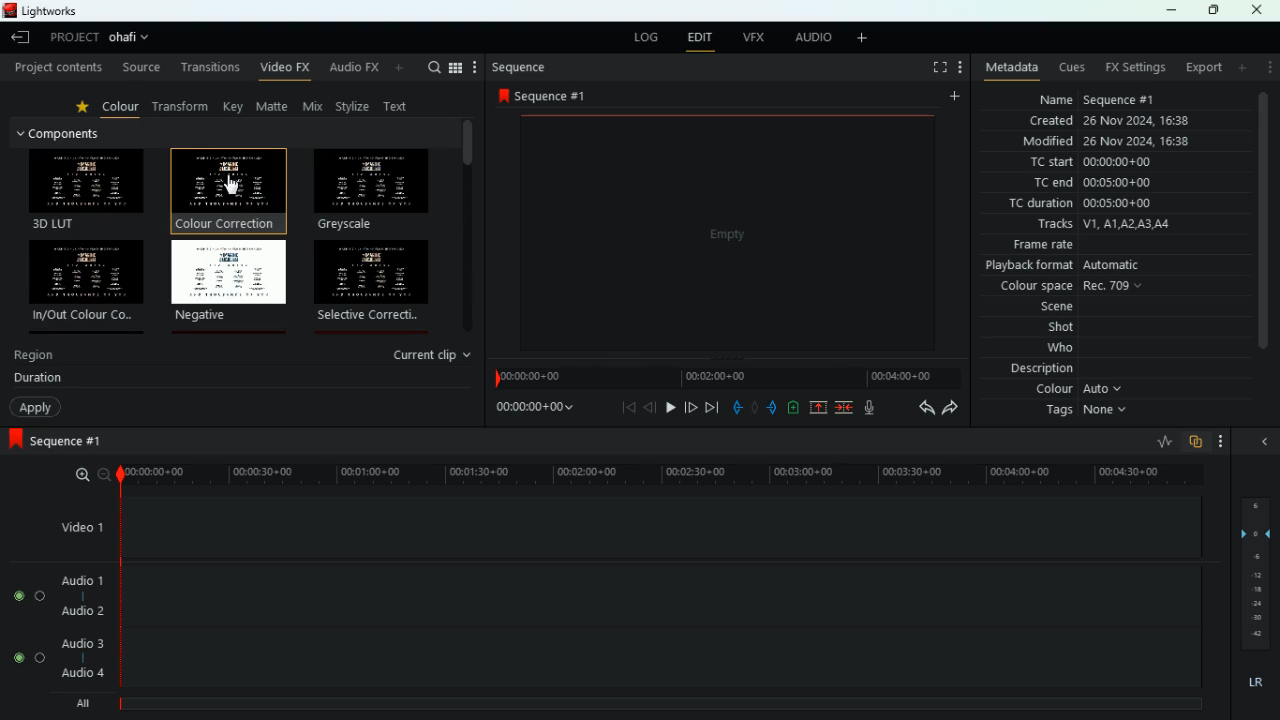  Describe the element at coordinates (370, 190) in the screenshot. I see `greyscale` at that location.